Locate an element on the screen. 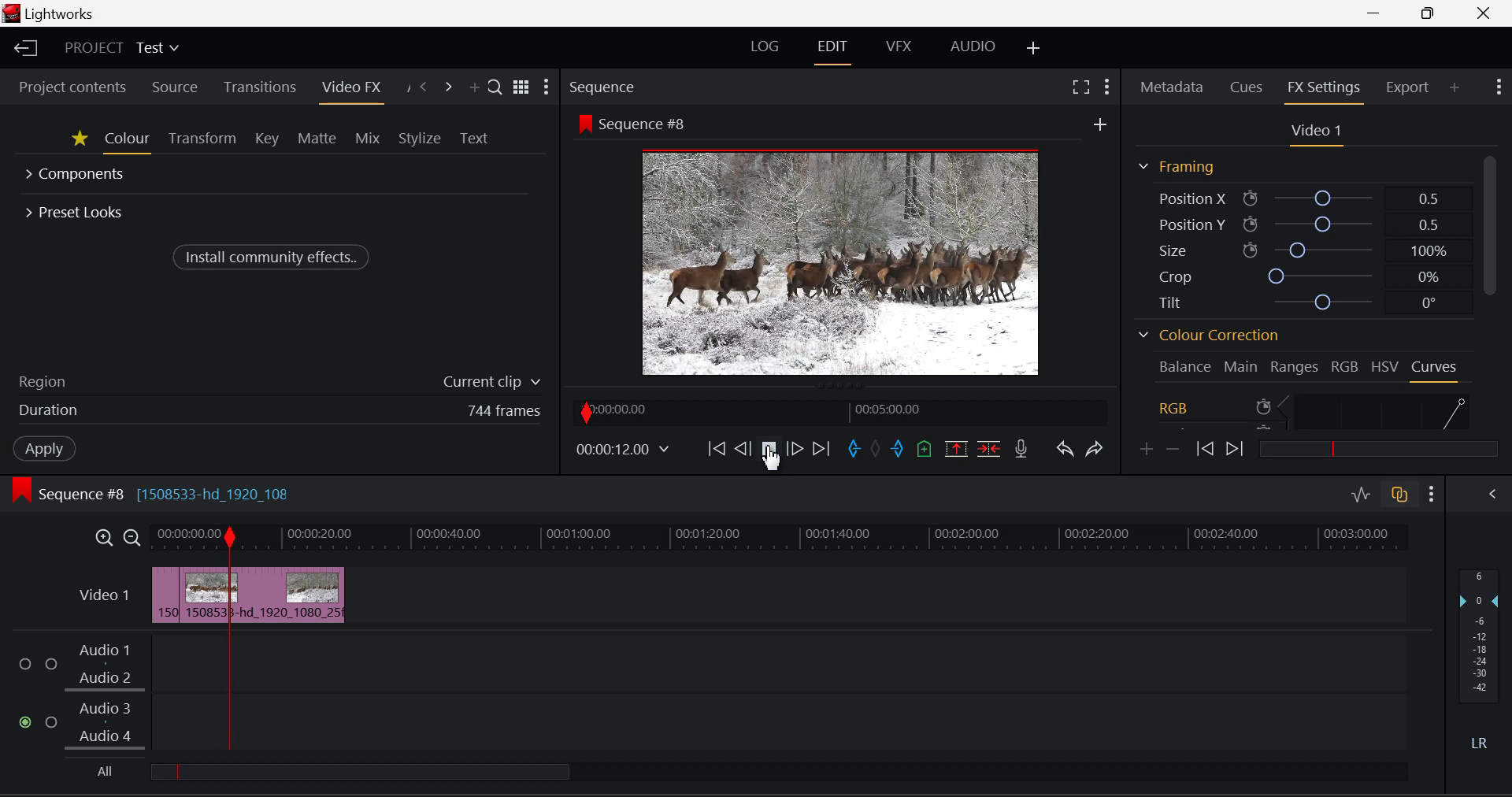 This screenshot has width=1512, height=797. Remove all marks is located at coordinates (877, 450).